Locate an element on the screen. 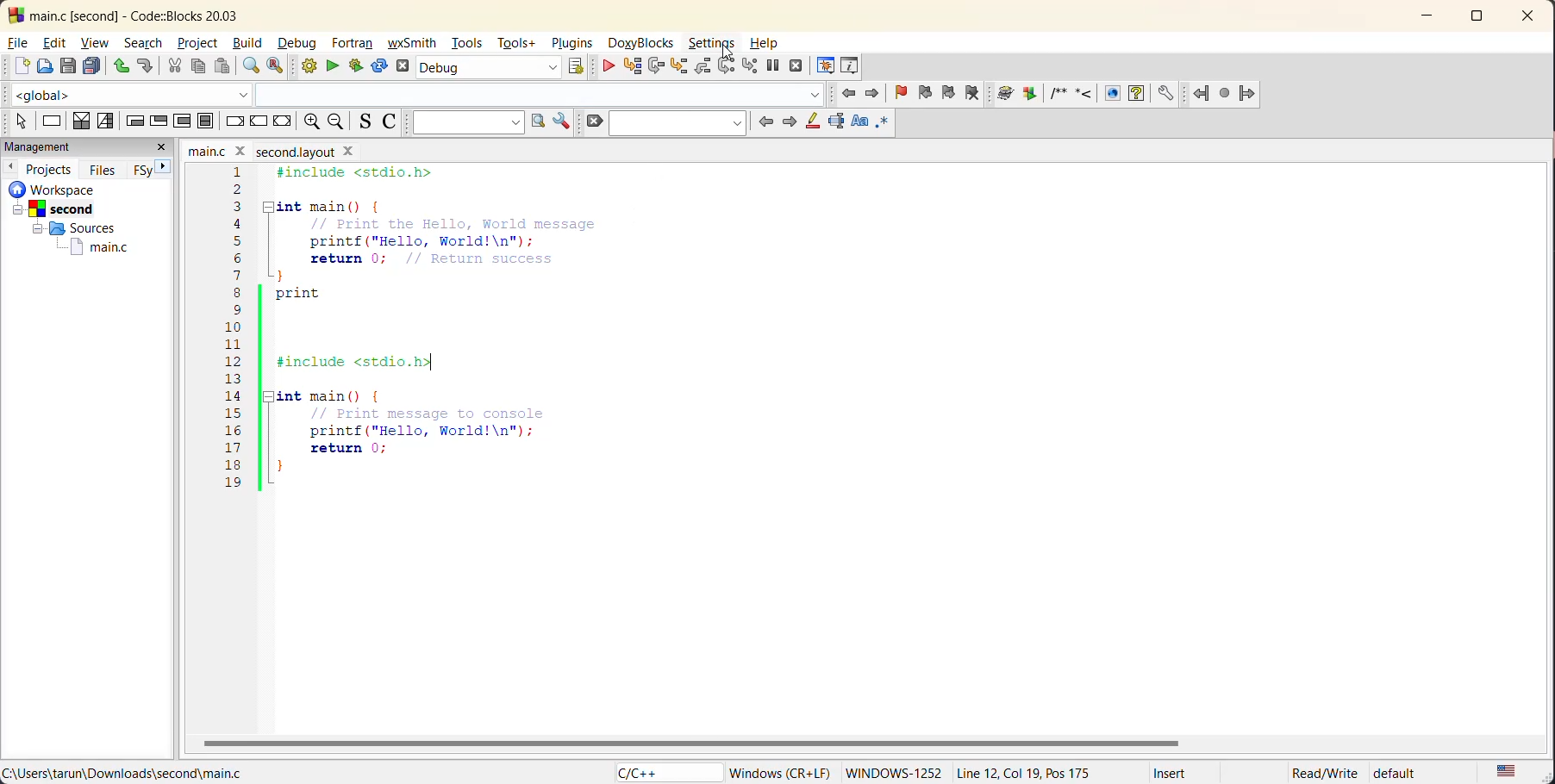 The image size is (1555, 784). file location is located at coordinates (127, 774).